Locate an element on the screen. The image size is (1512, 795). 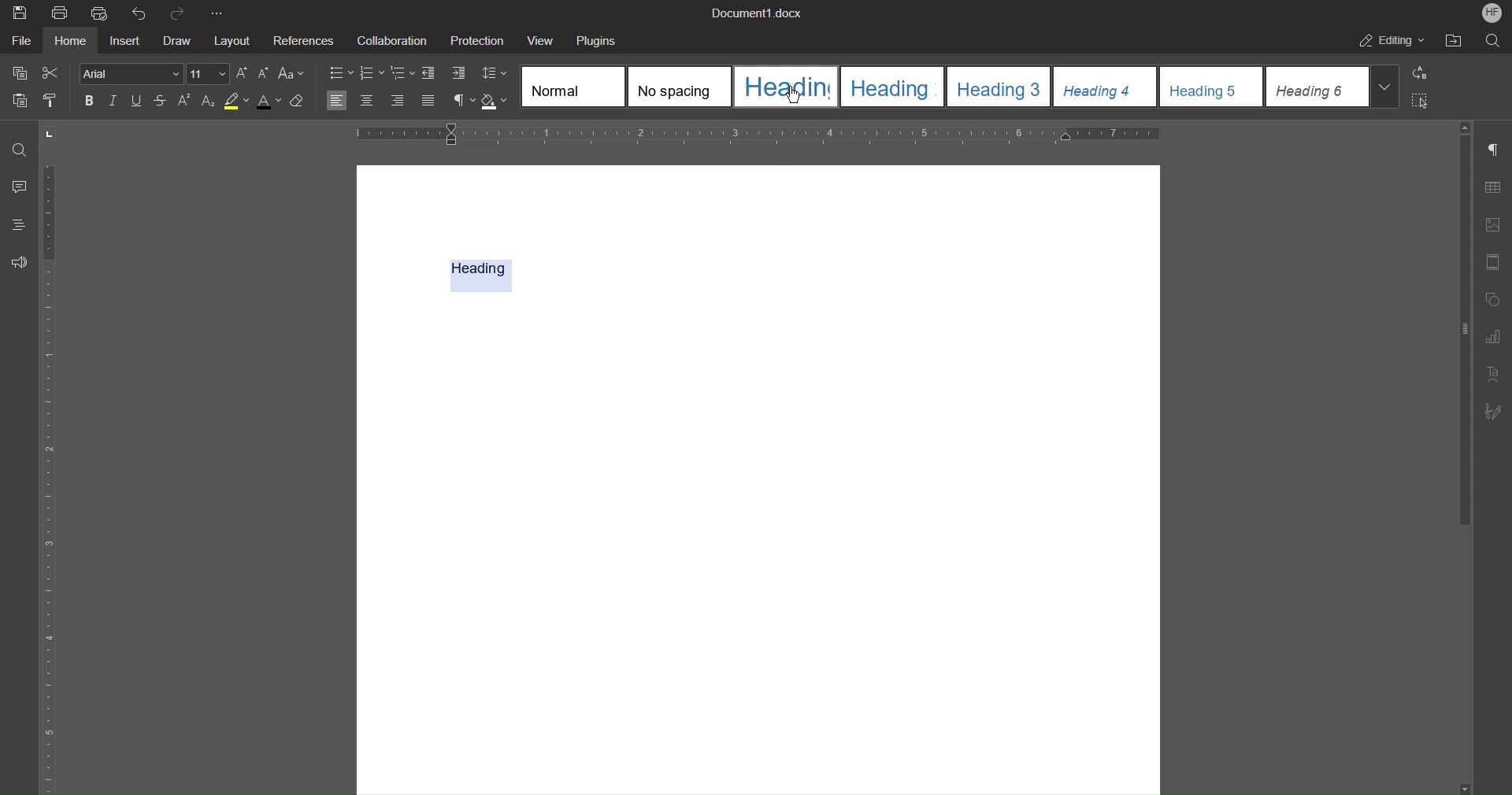
Vertical Ruler is located at coordinates (50, 476).